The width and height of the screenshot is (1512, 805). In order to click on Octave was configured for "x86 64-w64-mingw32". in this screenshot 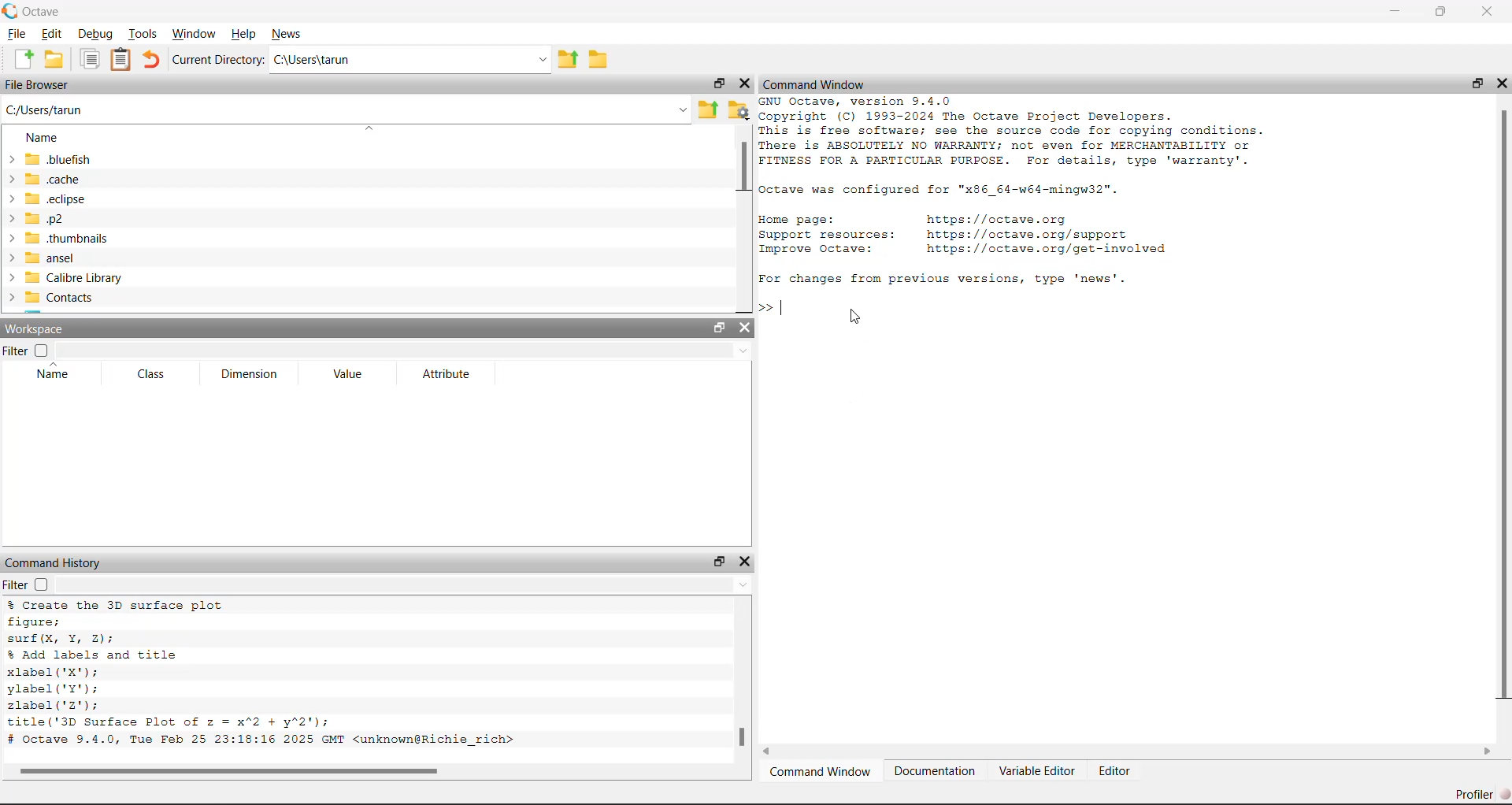, I will do `click(943, 188)`.